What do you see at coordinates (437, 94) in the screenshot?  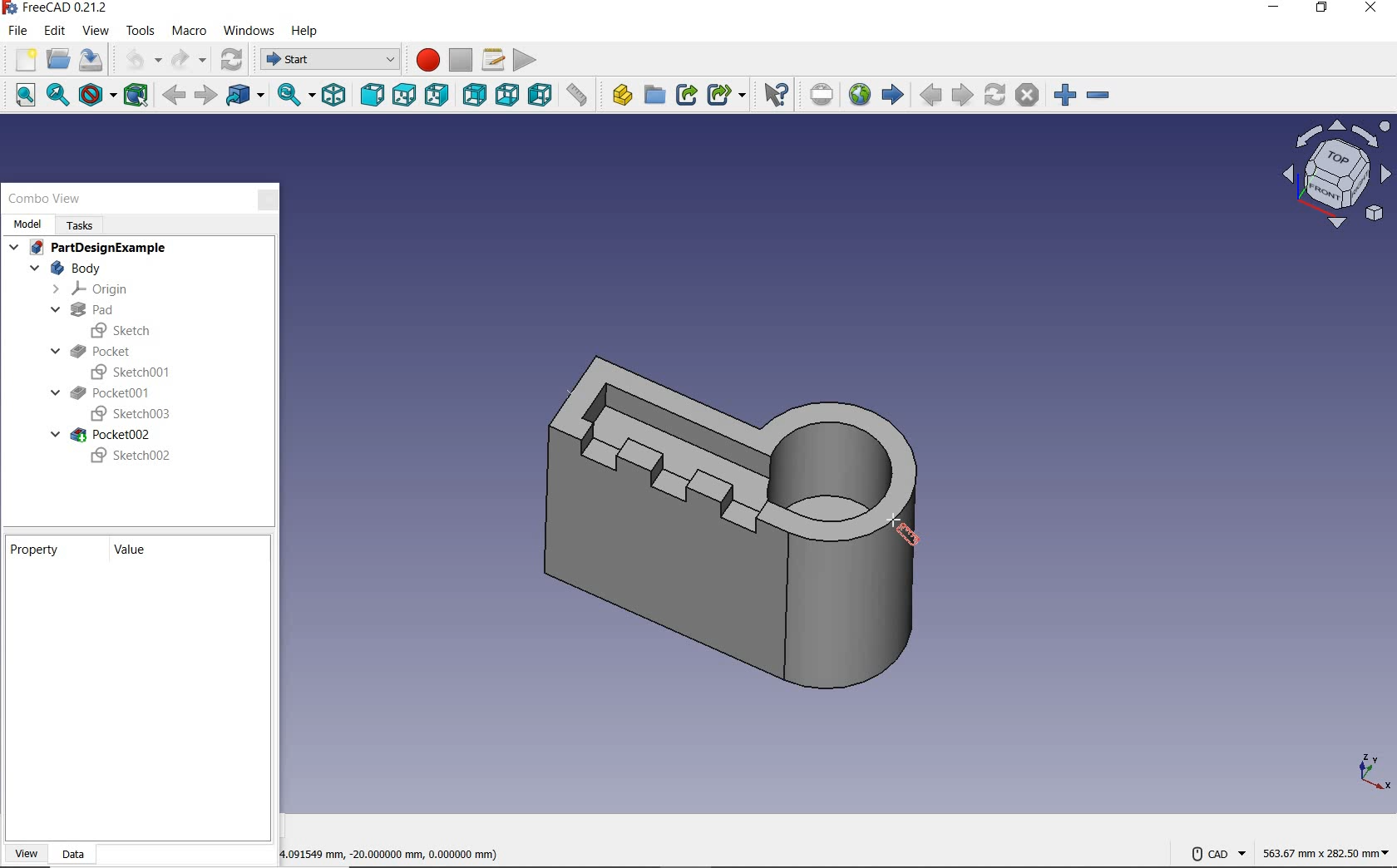 I see `right` at bounding box center [437, 94].